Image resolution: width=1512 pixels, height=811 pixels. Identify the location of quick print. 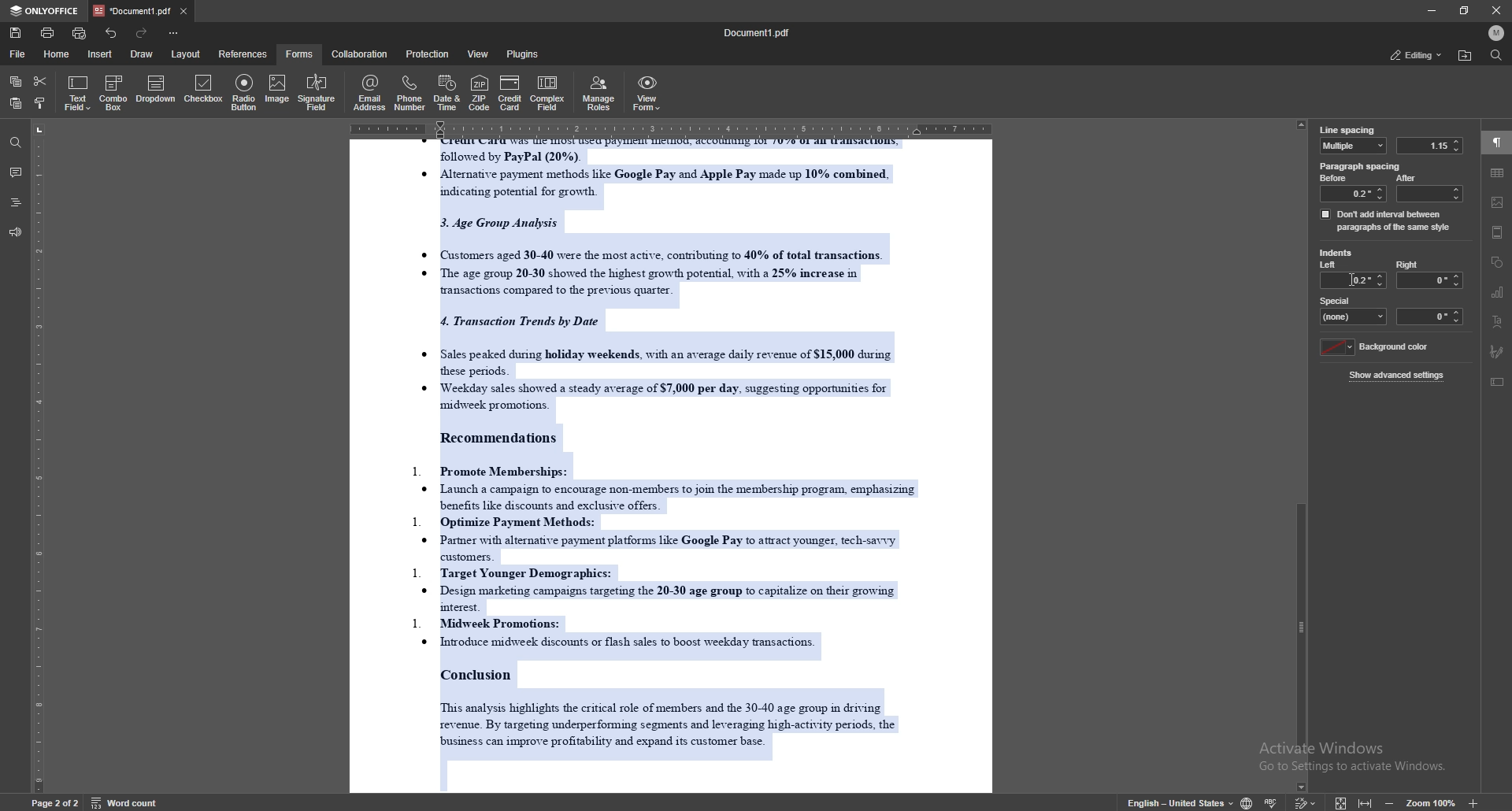
(81, 33).